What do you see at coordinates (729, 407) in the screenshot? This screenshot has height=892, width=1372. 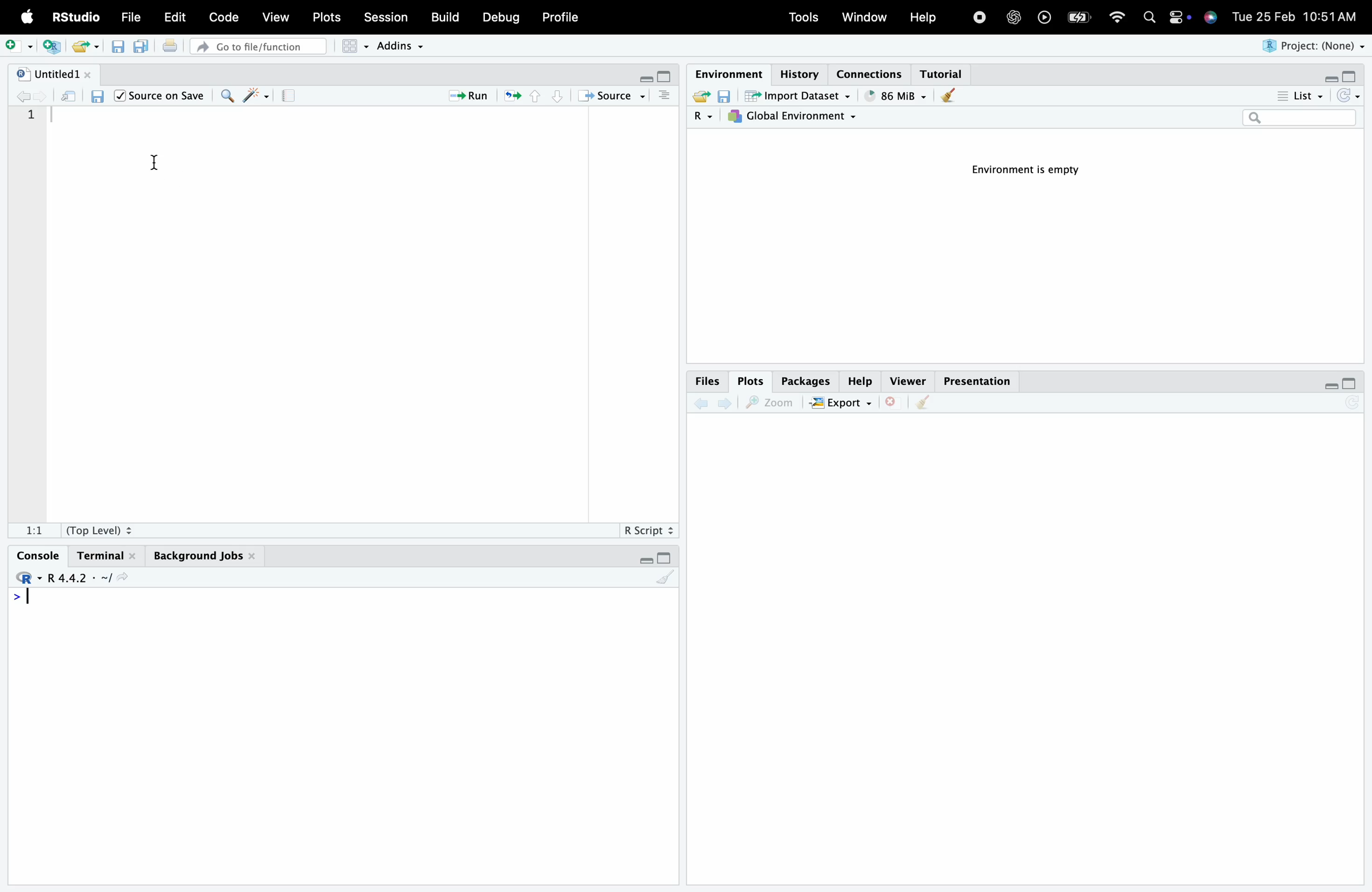 I see `next` at bounding box center [729, 407].